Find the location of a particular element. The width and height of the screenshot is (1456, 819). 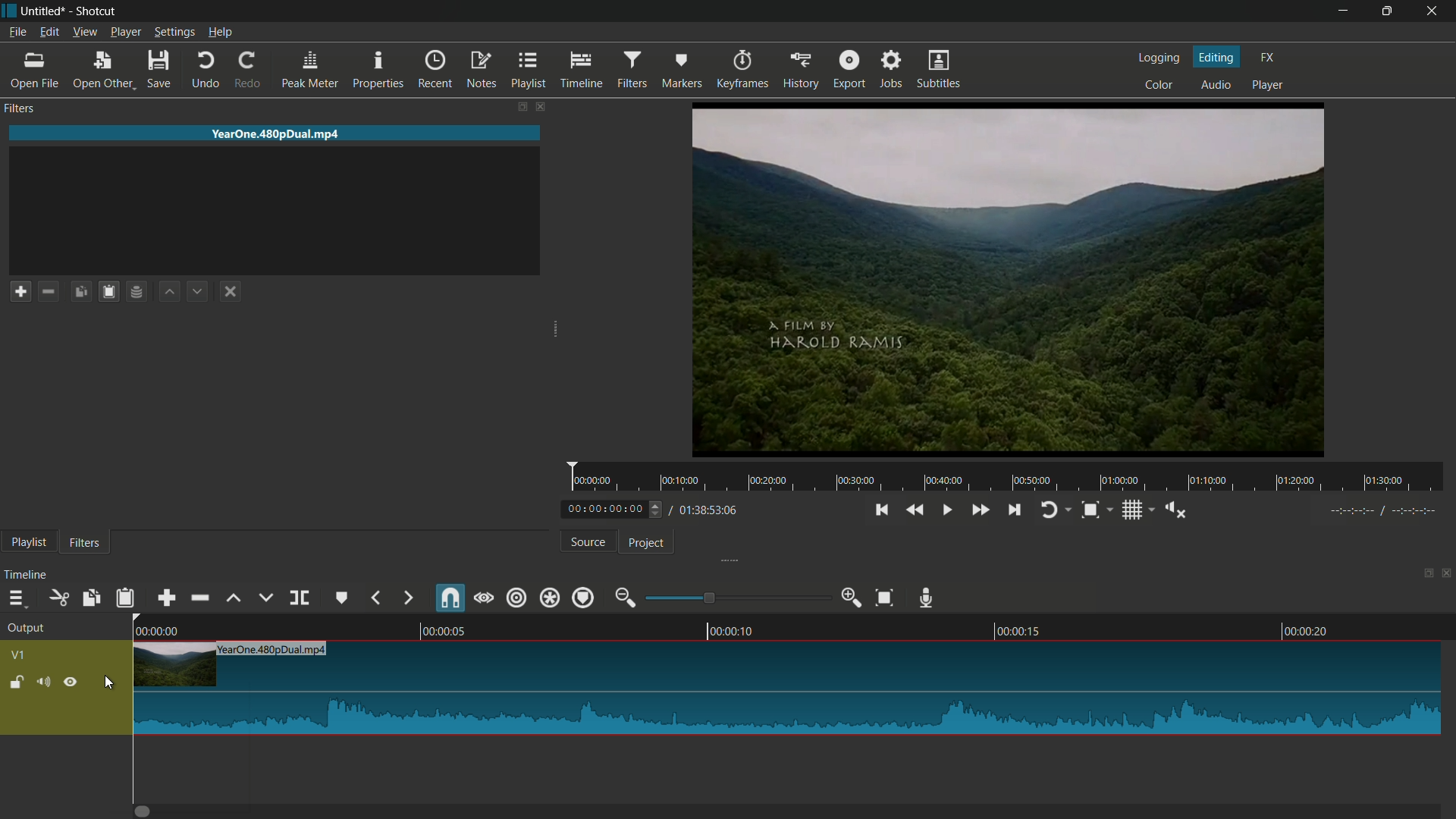

append is located at coordinates (163, 598).